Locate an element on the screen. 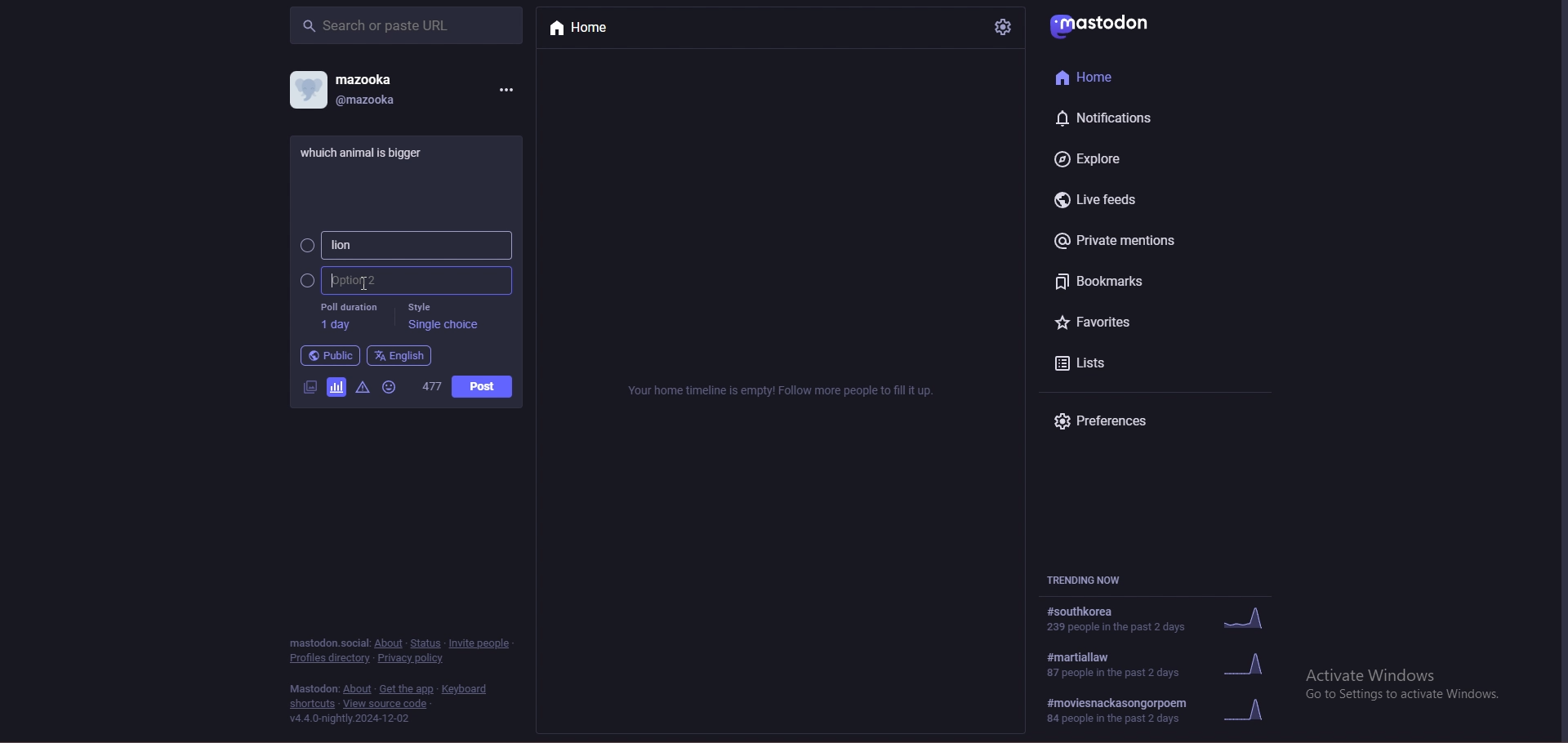 The height and width of the screenshot is (743, 1568). private mentions is located at coordinates (1128, 240).